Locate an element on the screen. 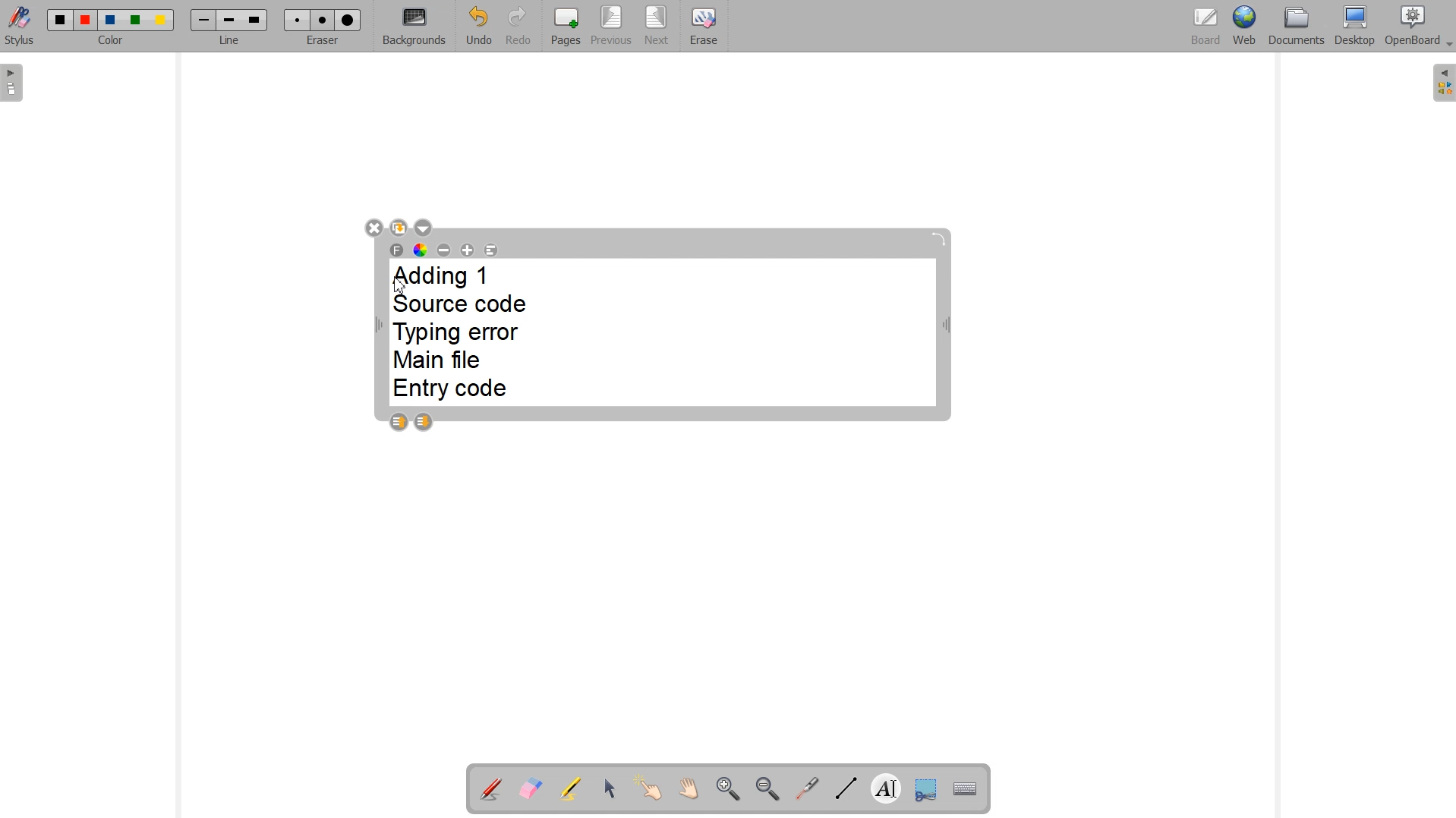  Layer up is located at coordinates (398, 422).